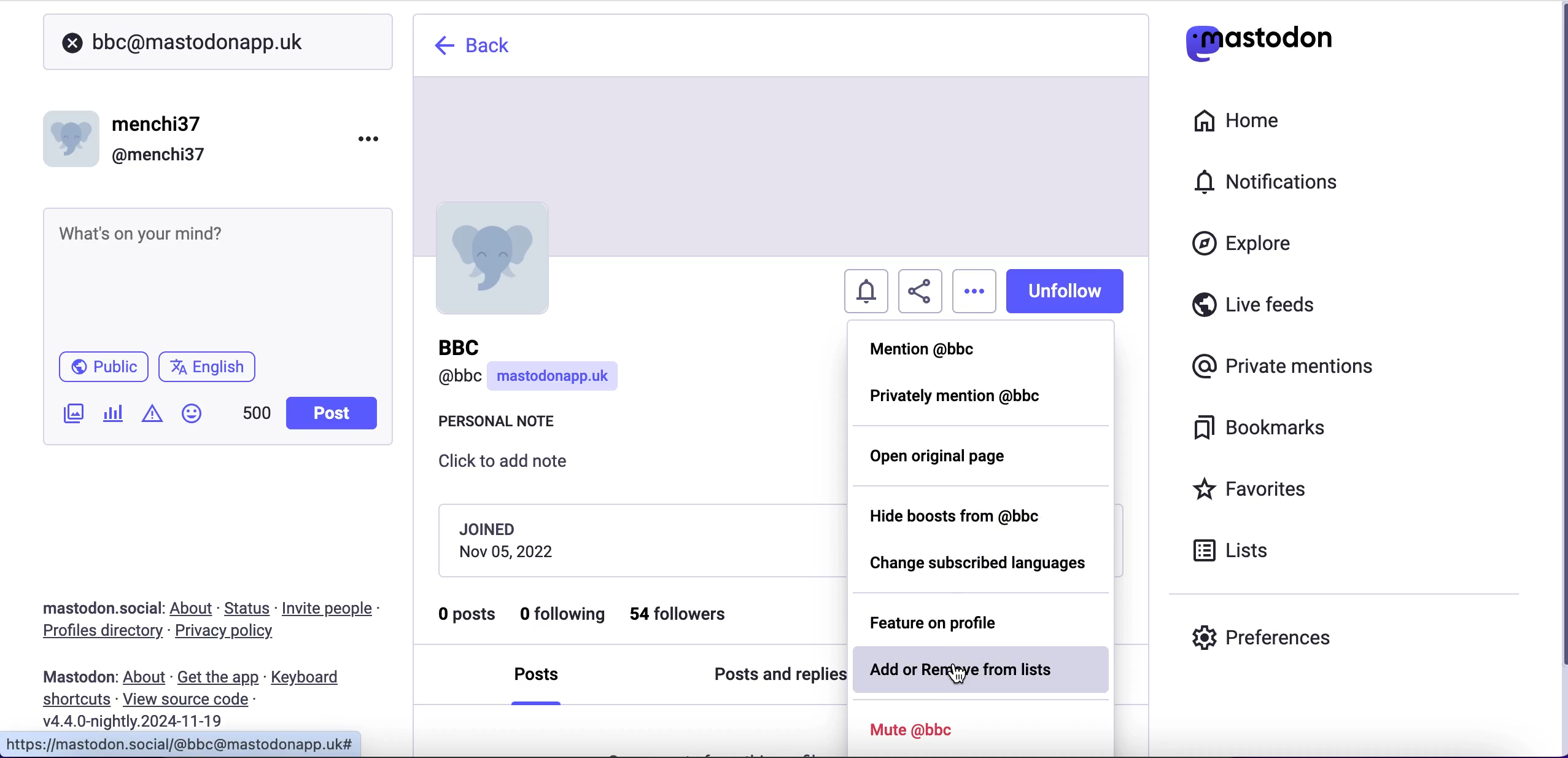 Image resolution: width=1568 pixels, height=758 pixels. I want to click on hide boosts from @bbc, so click(984, 517).